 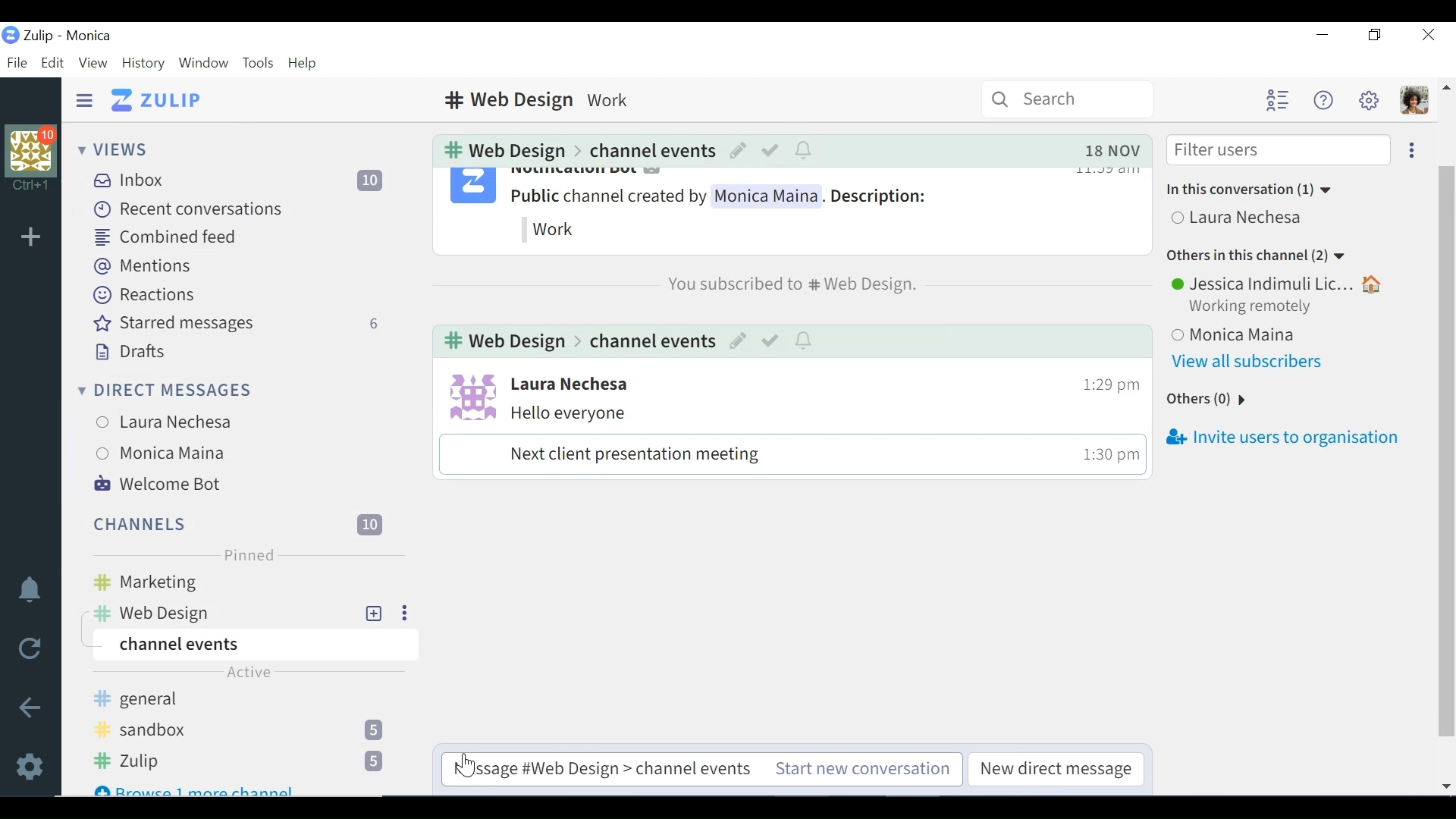 What do you see at coordinates (189, 209) in the screenshot?
I see `Recent conversations` at bounding box center [189, 209].